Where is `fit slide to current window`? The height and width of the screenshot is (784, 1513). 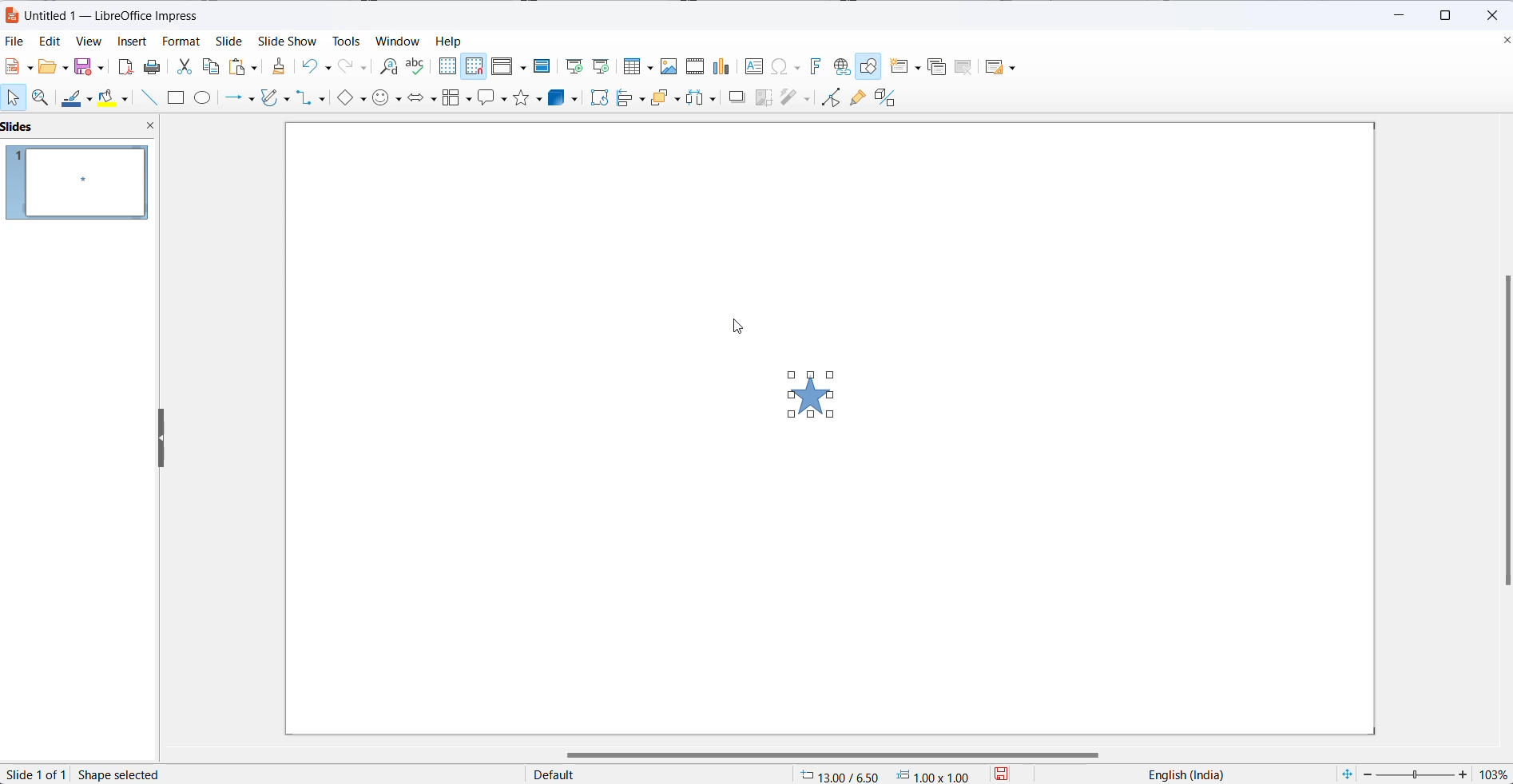
fit slide to current window is located at coordinates (1347, 774).